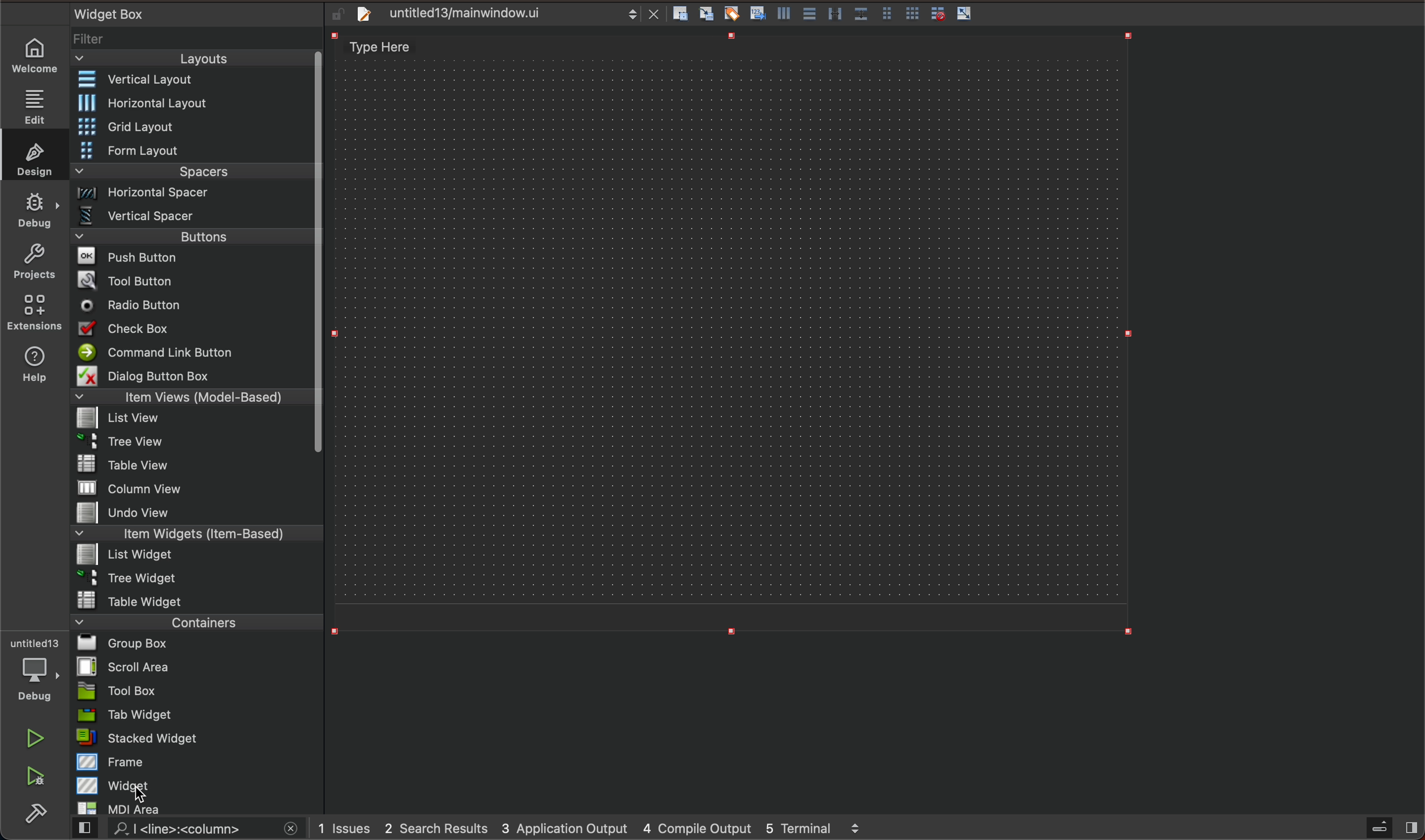 The image size is (1425, 840). I want to click on Horizontal spacer, so click(192, 194).